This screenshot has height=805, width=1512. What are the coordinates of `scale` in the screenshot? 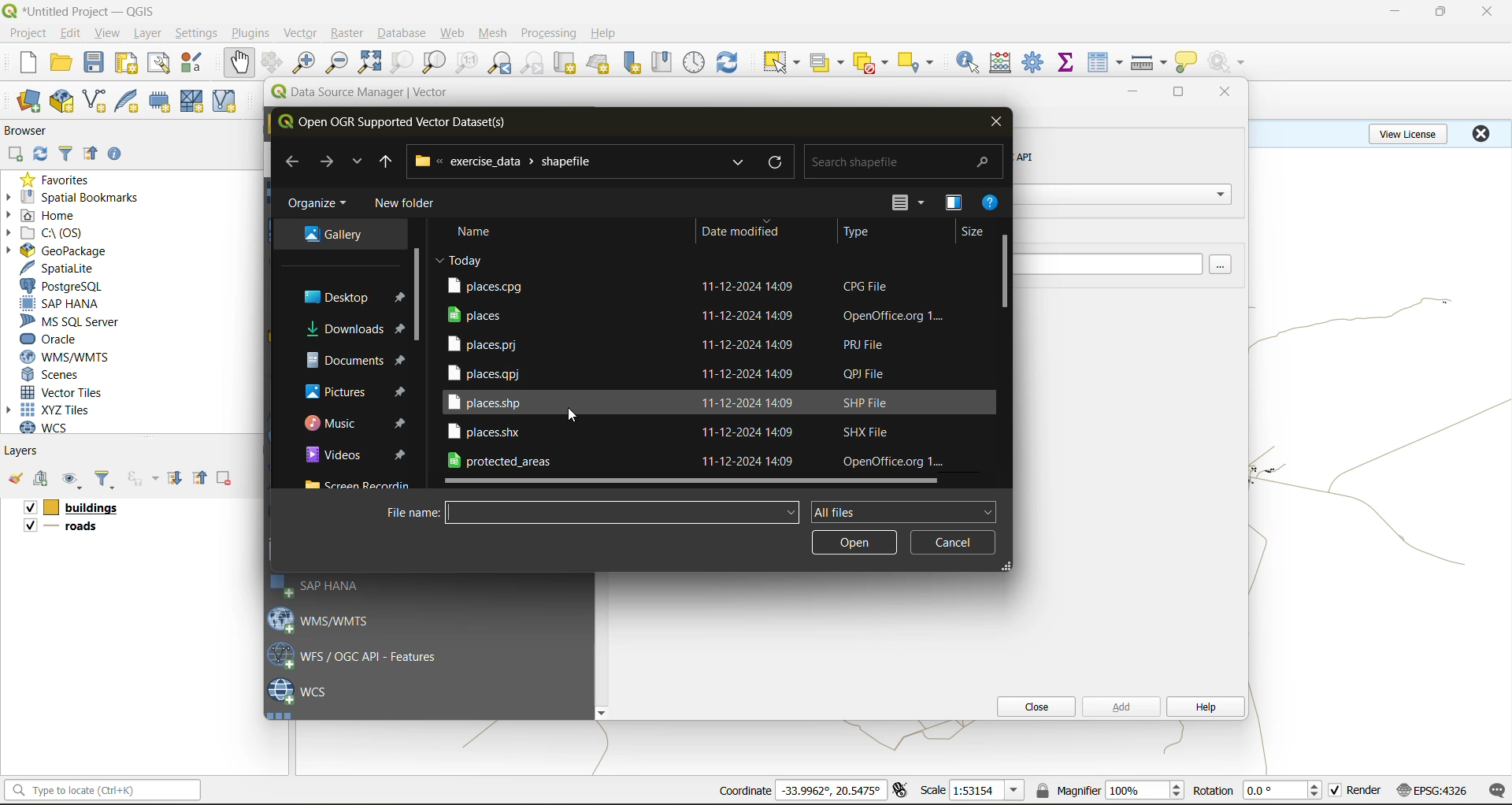 It's located at (932, 789).